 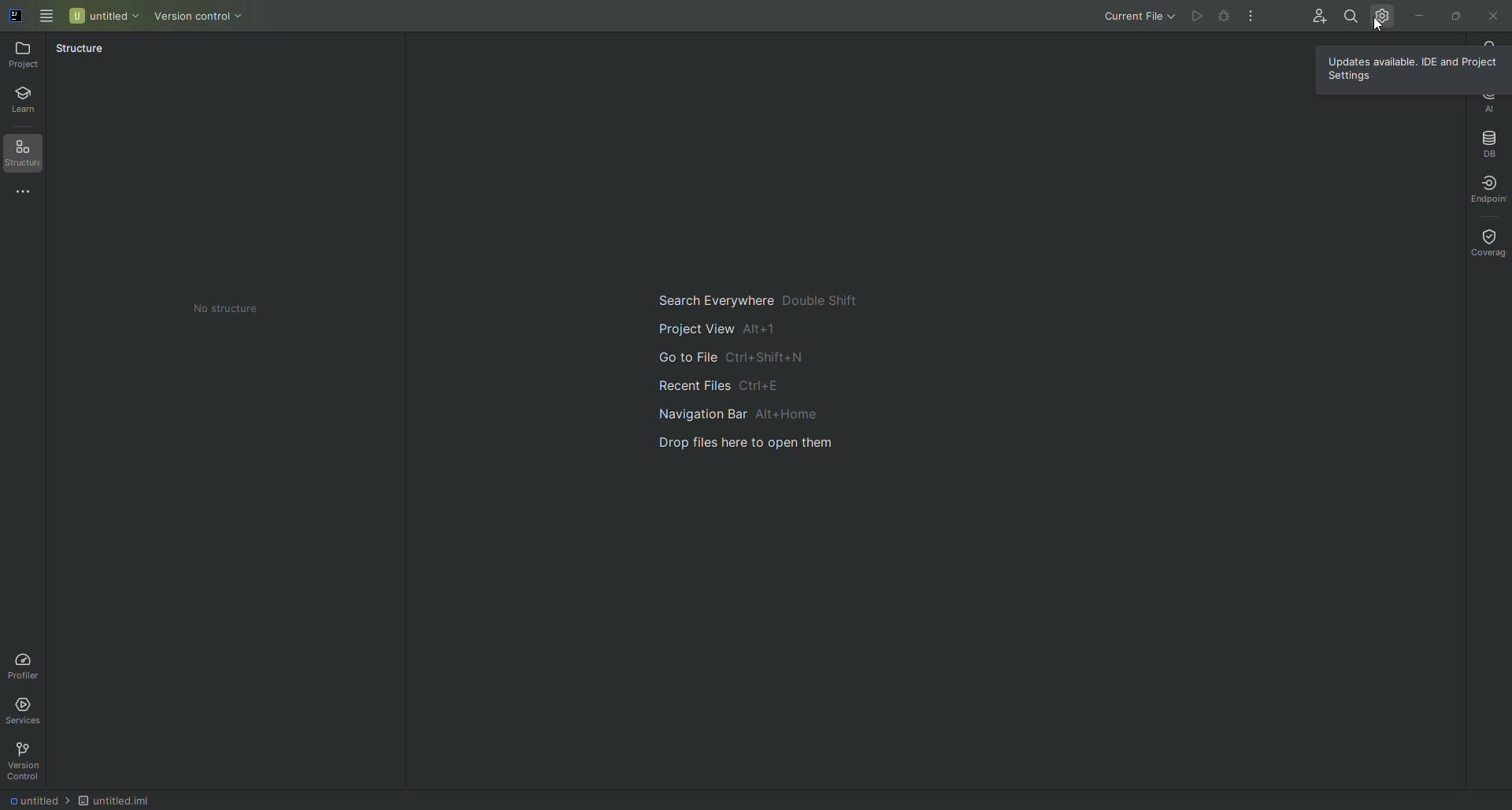 What do you see at coordinates (756, 443) in the screenshot?
I see `File upload` at bounding box center [756, 443].